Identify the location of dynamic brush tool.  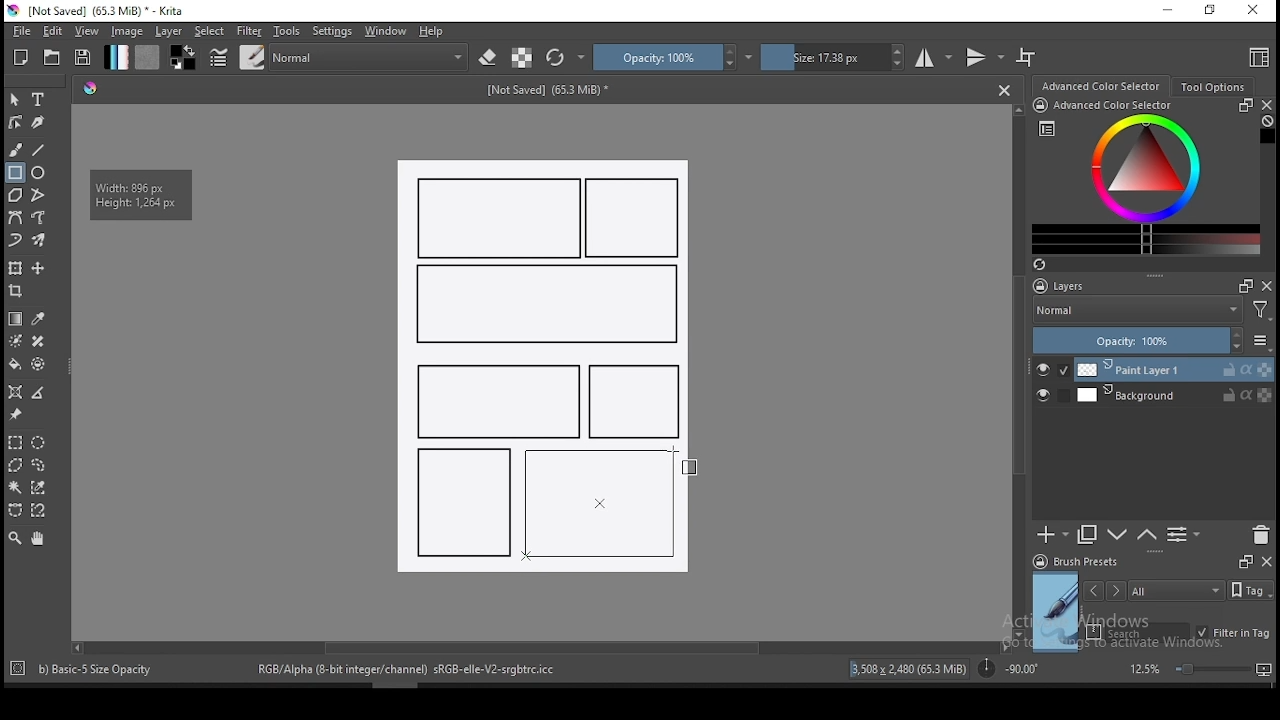
(15, 241).